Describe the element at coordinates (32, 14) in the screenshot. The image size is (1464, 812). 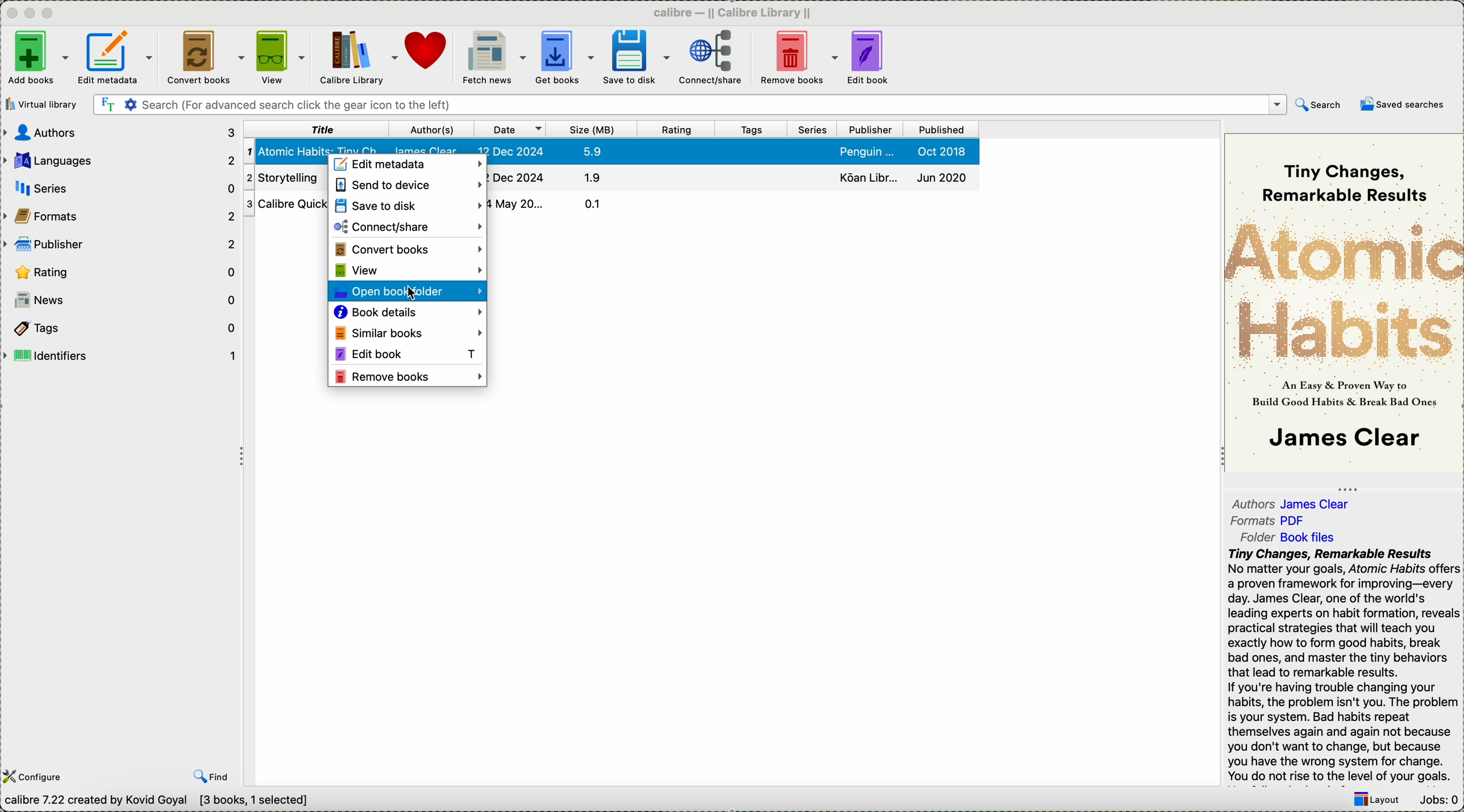
I see `disable buttons program` at that location.